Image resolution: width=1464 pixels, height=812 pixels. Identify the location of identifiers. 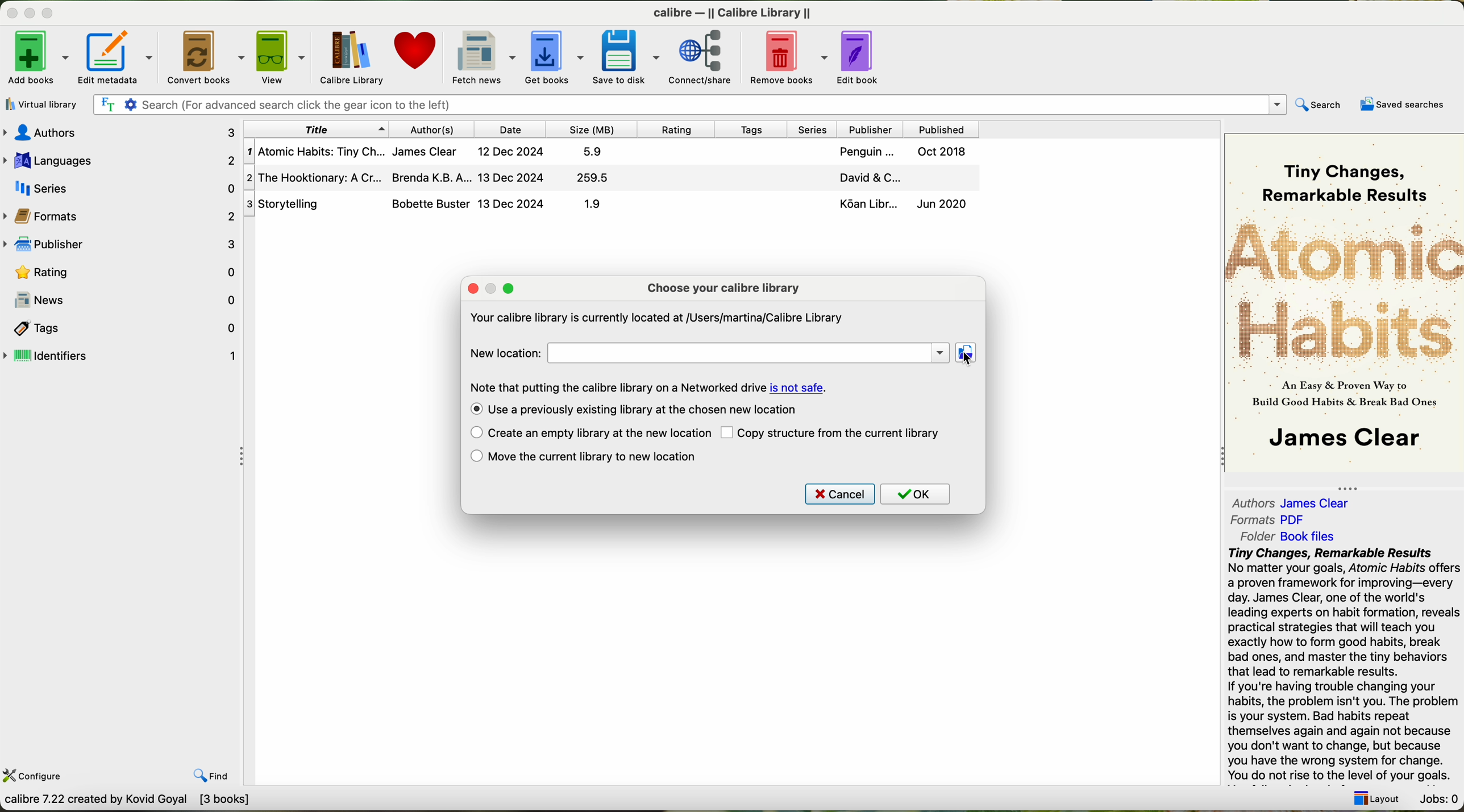
(121, 356).